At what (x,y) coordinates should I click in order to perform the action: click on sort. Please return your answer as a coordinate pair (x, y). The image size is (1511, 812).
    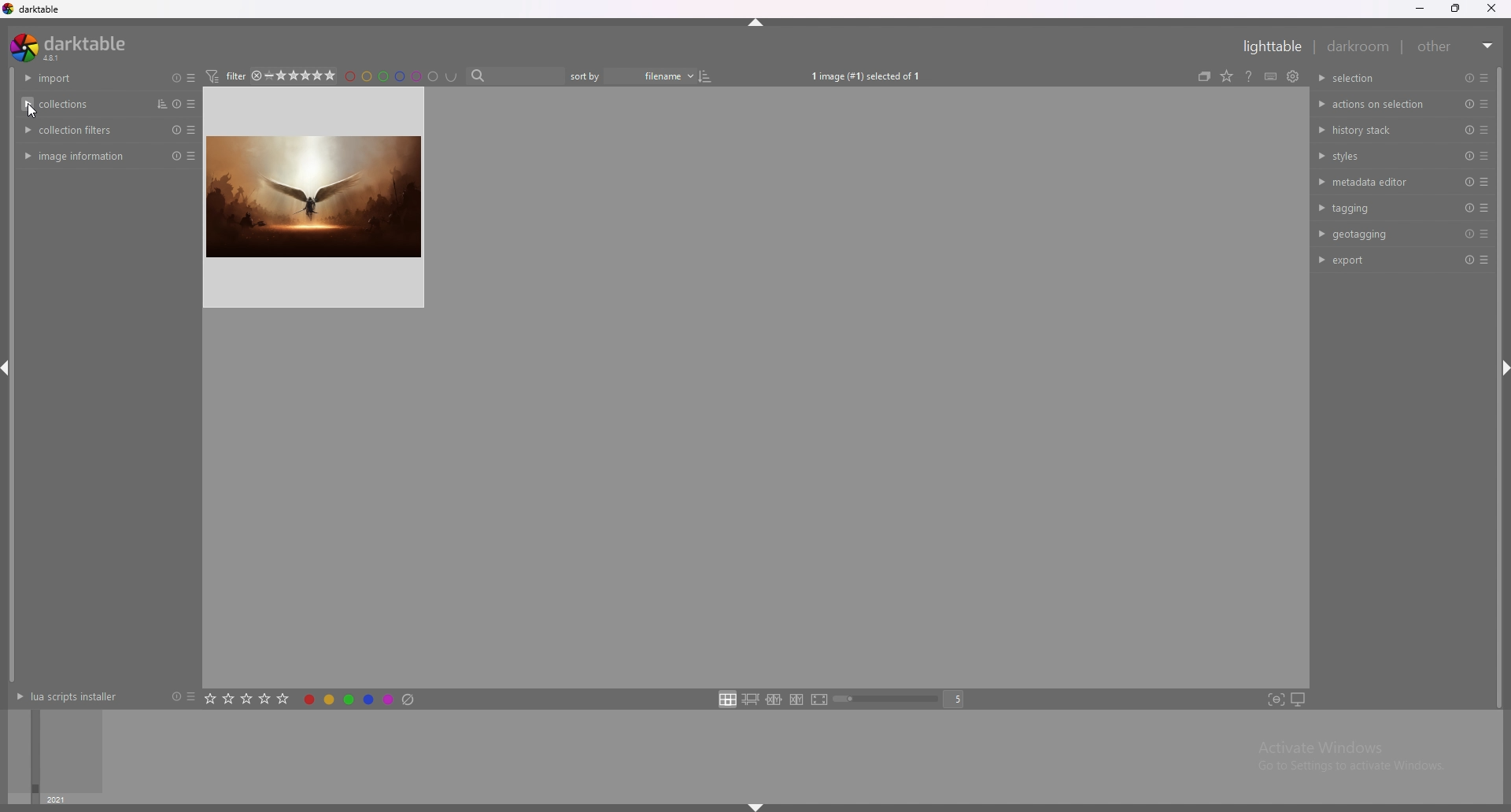
    Looking at the image, I should click on (158, 104).